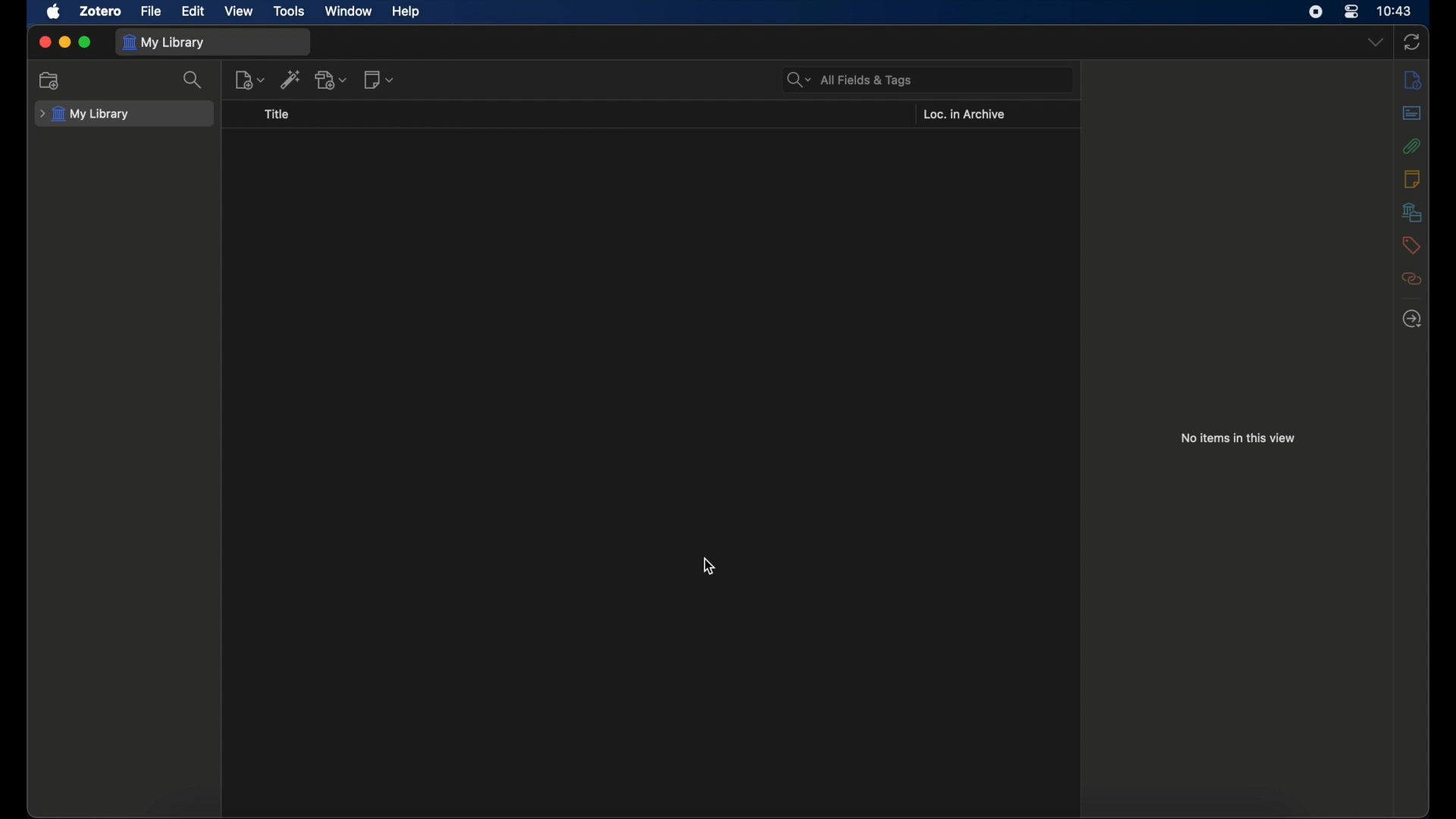  Describe the element at coordinates (1351, 12) in the screenshot. I see `control center` at that location.